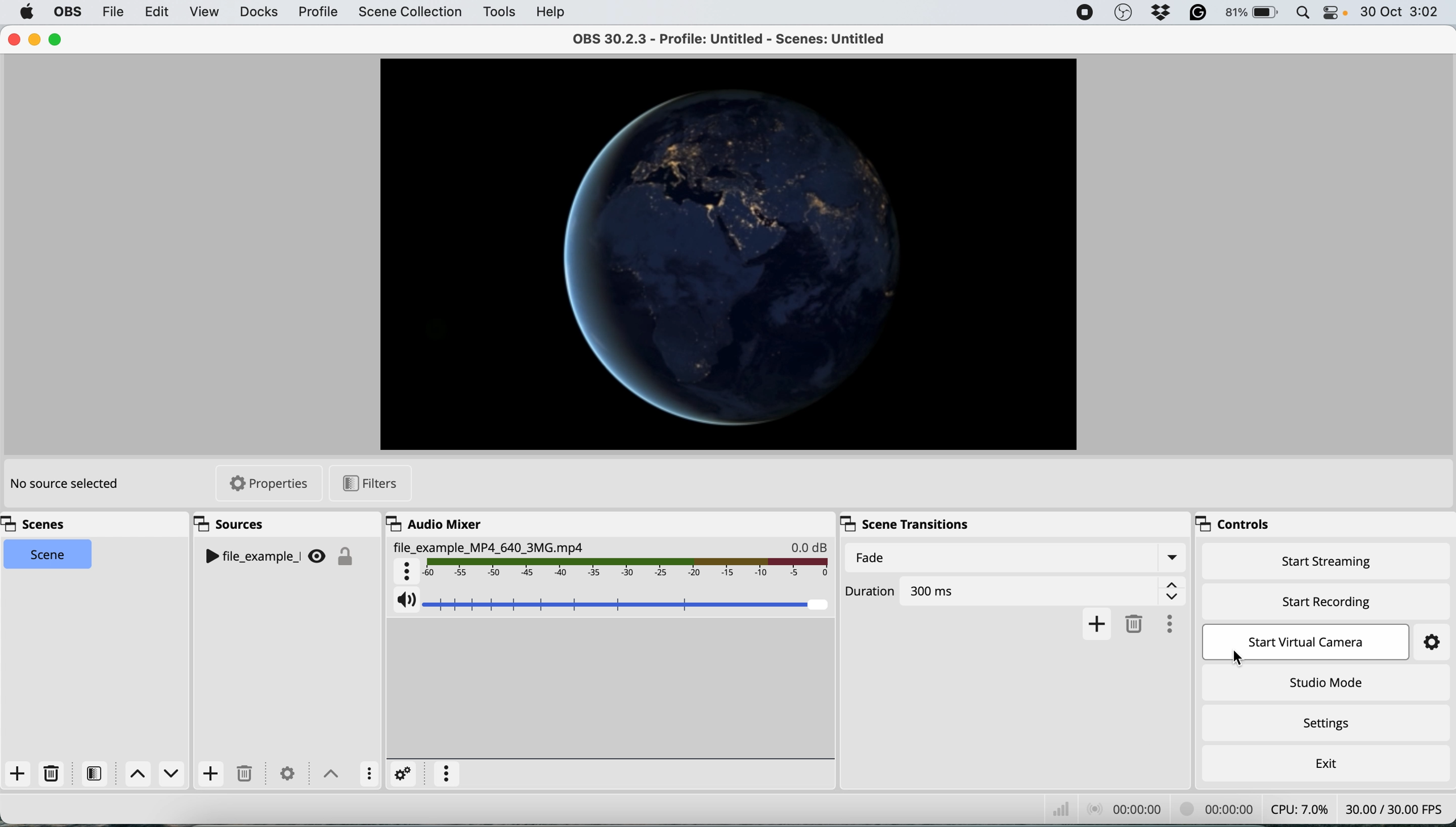 This screenshot has width=1456, height=827. I want to click on studio mode, so click(1325, 680).